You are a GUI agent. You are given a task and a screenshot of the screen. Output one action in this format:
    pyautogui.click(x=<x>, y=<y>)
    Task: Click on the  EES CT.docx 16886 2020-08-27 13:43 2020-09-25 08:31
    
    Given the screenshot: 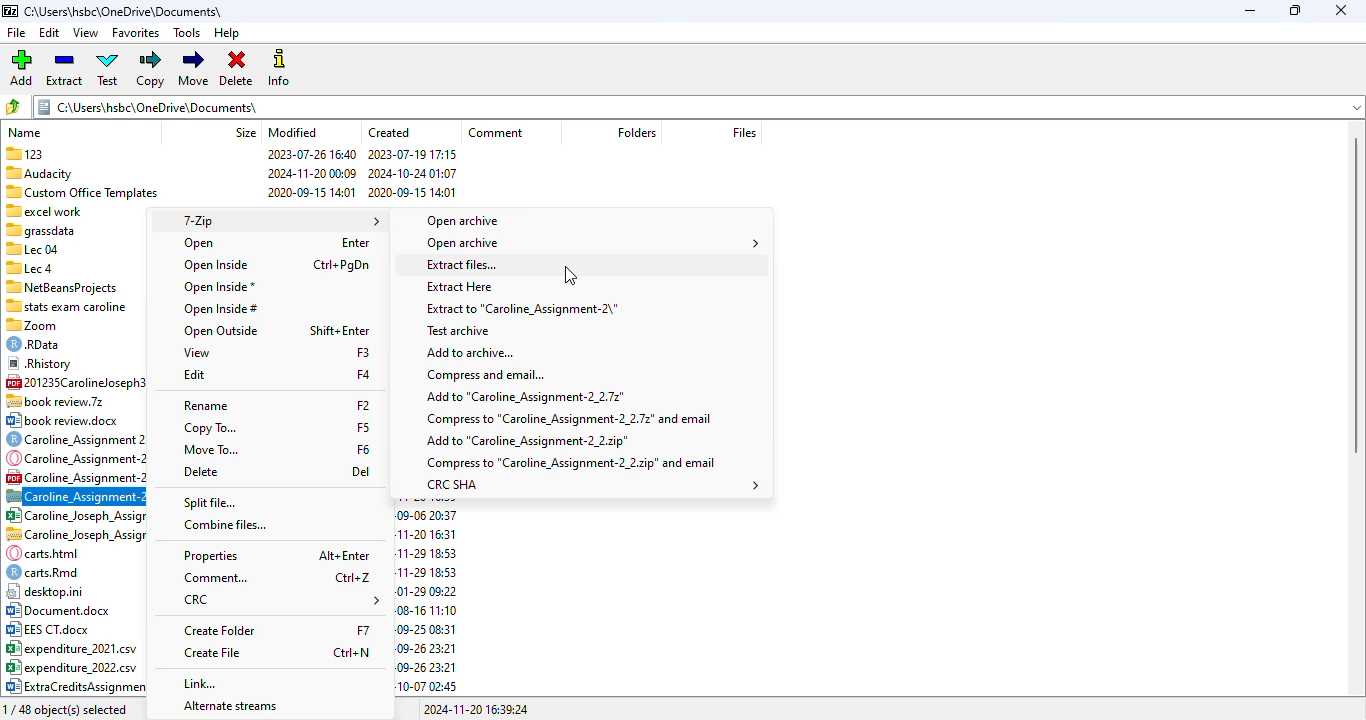 What is the action you would take?
    pyautogui.click(x=73, y=630)
    